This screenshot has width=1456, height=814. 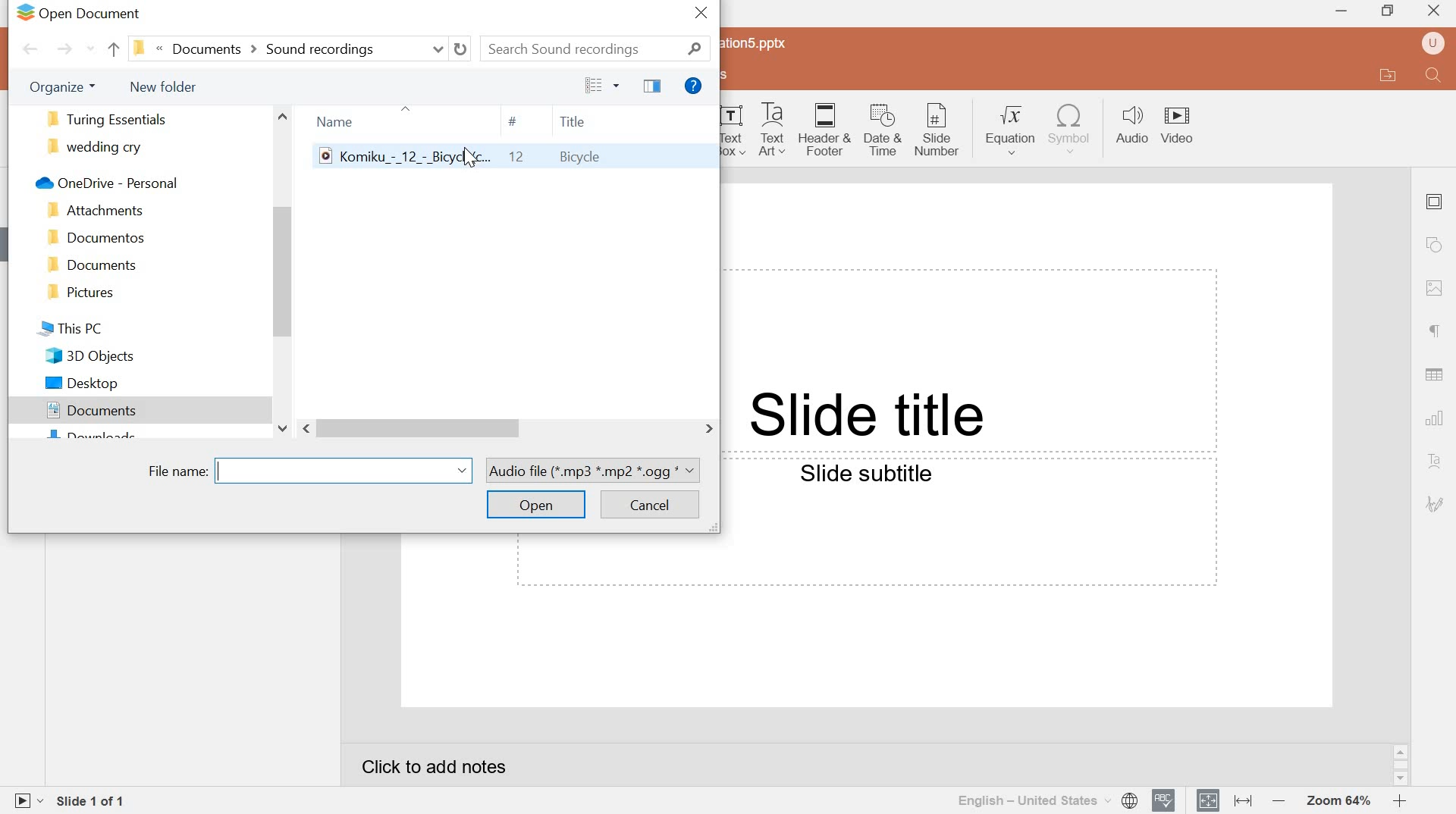 I want to click on click to add notes, so click(x=435, y=767).